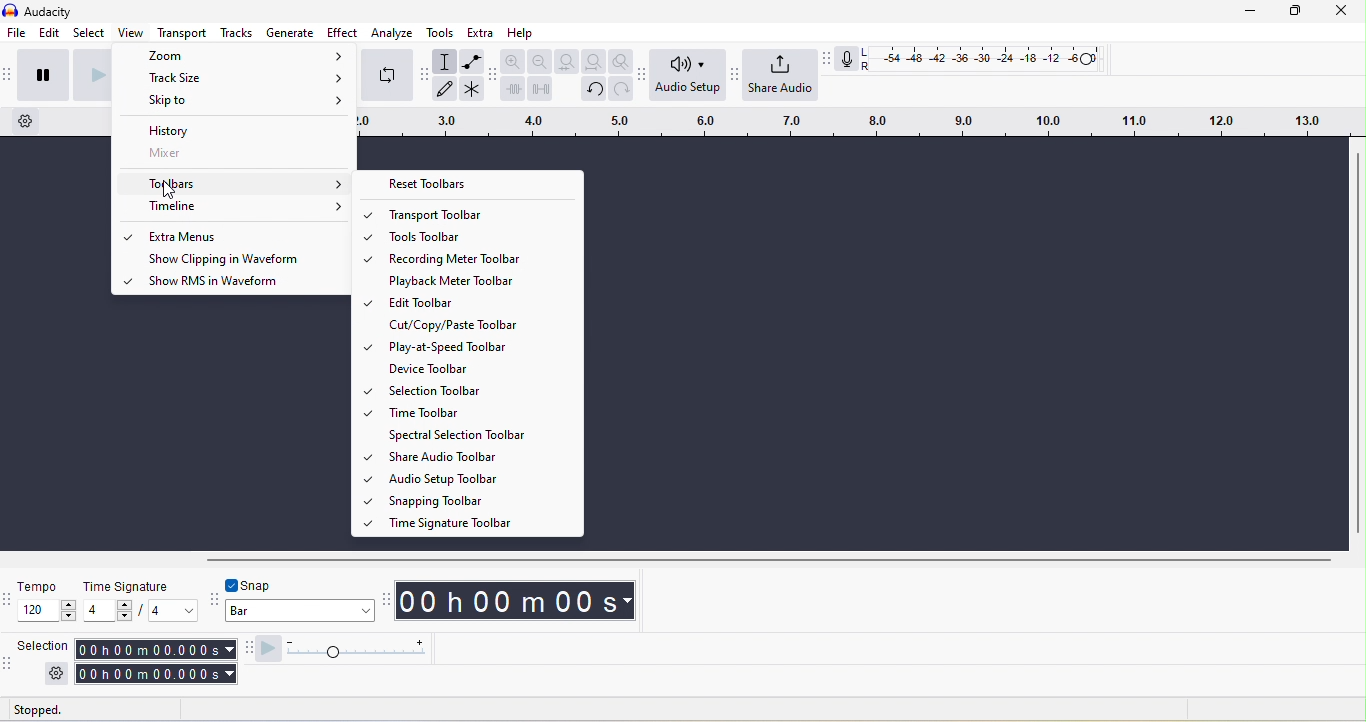 This screenshot has height=722, width=1366. Describe the element at coordinates (641, 76) in the screenshot. I see `audio setup toolbar` at that location.